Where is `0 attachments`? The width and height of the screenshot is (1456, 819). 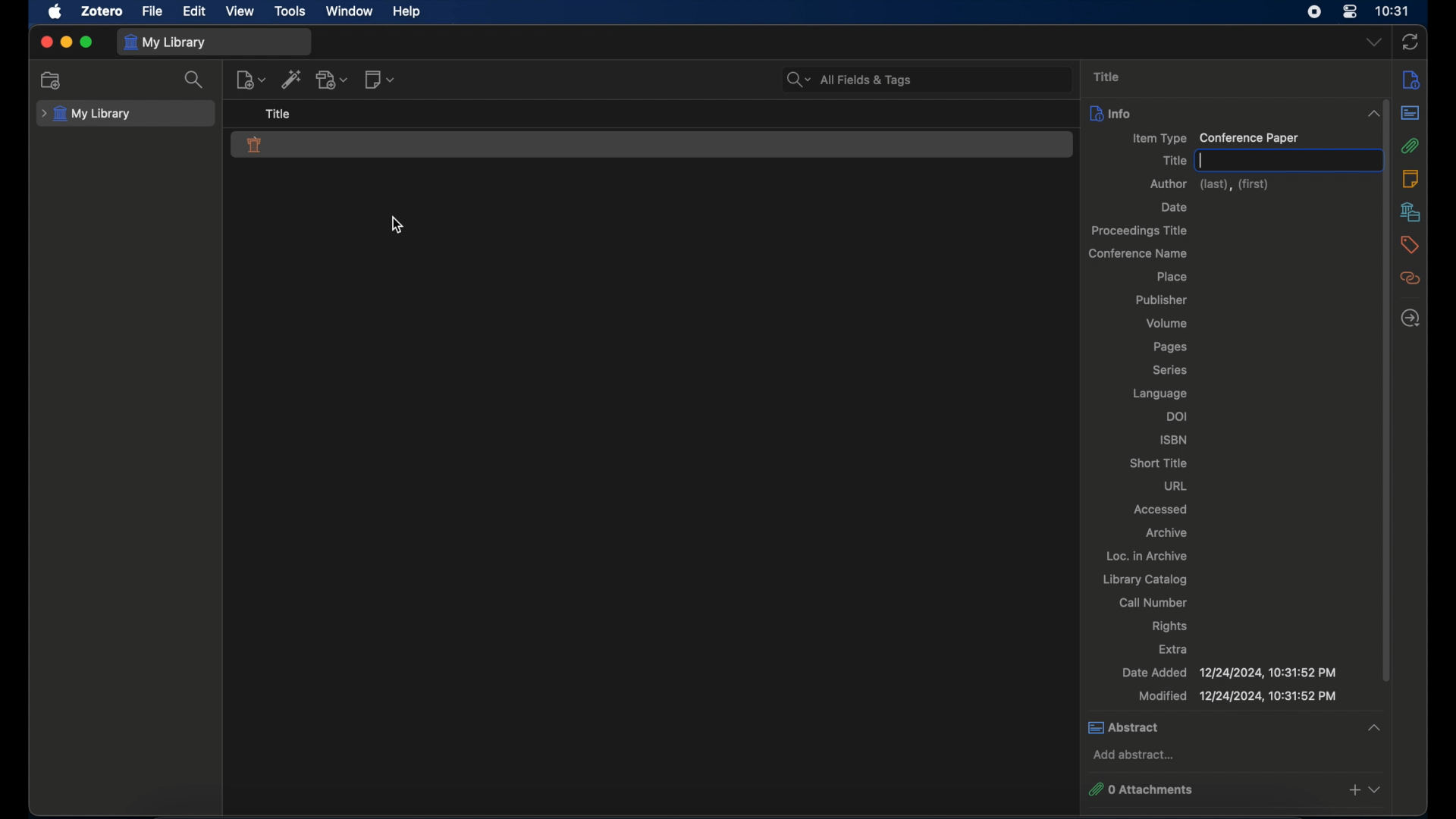 0 attachments is located at coordinates (1236, 789).